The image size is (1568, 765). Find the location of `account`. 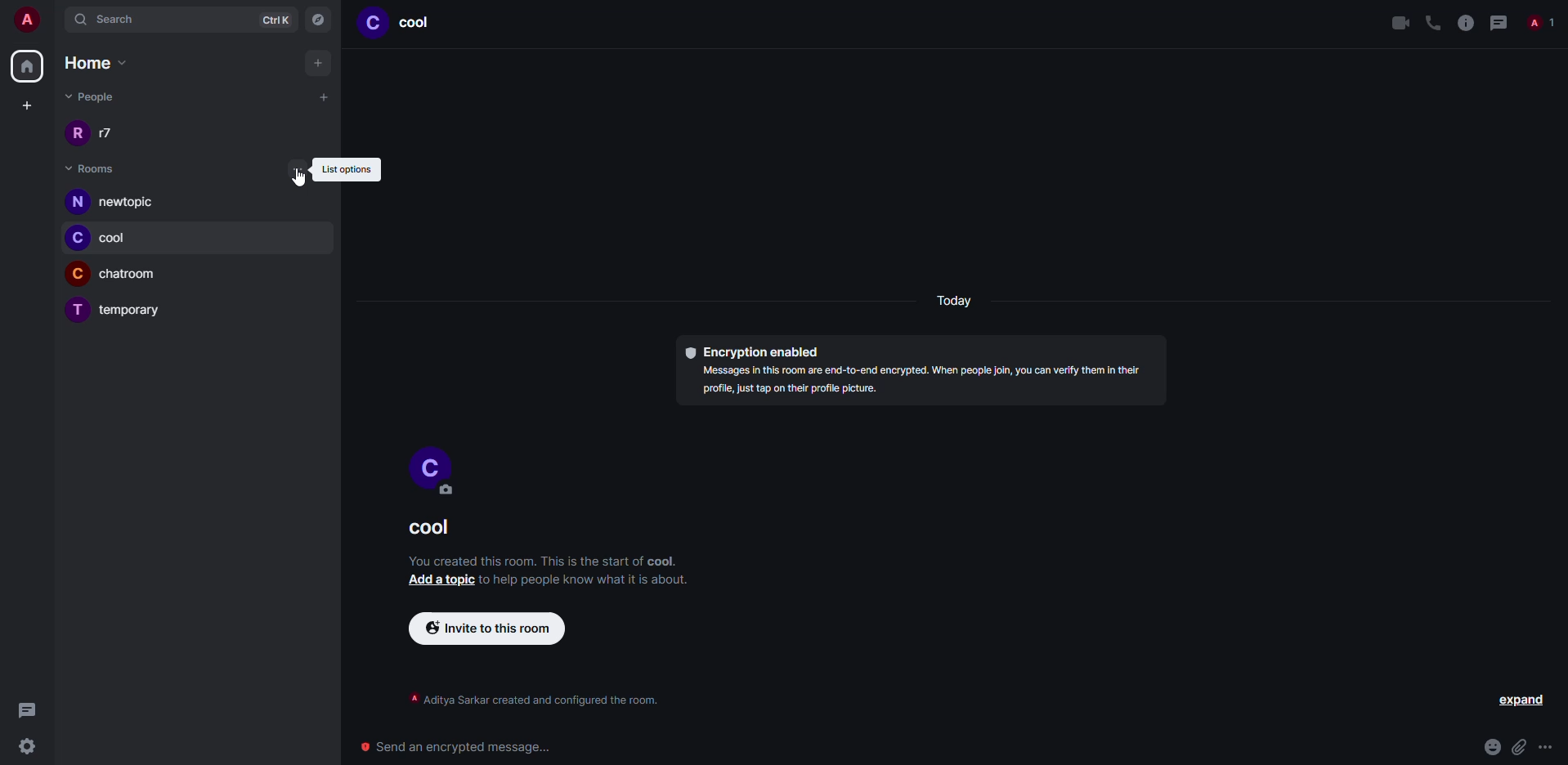

account is located at coordinates (32, 20).